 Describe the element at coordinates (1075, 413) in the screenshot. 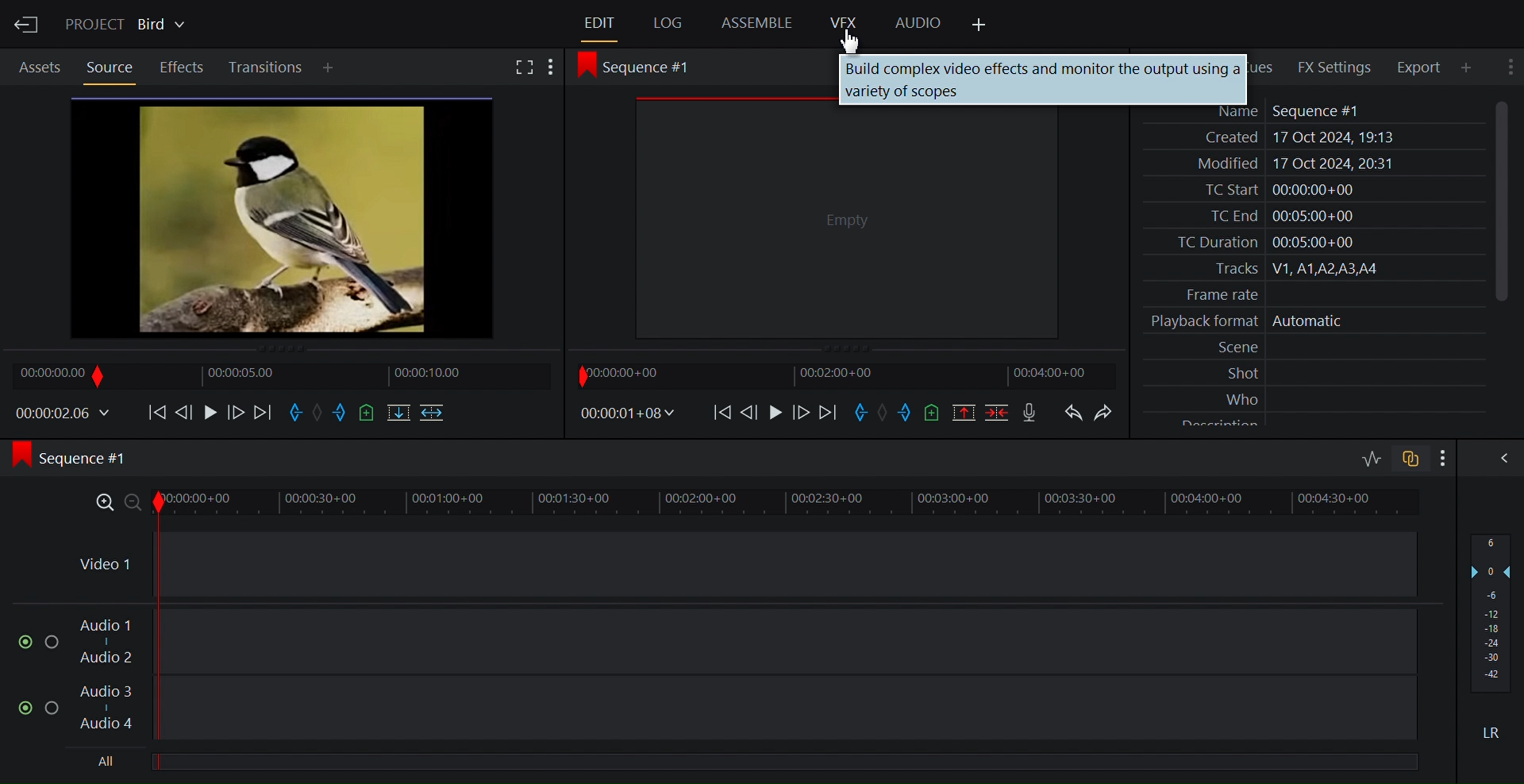

I see `Undo` at that location.